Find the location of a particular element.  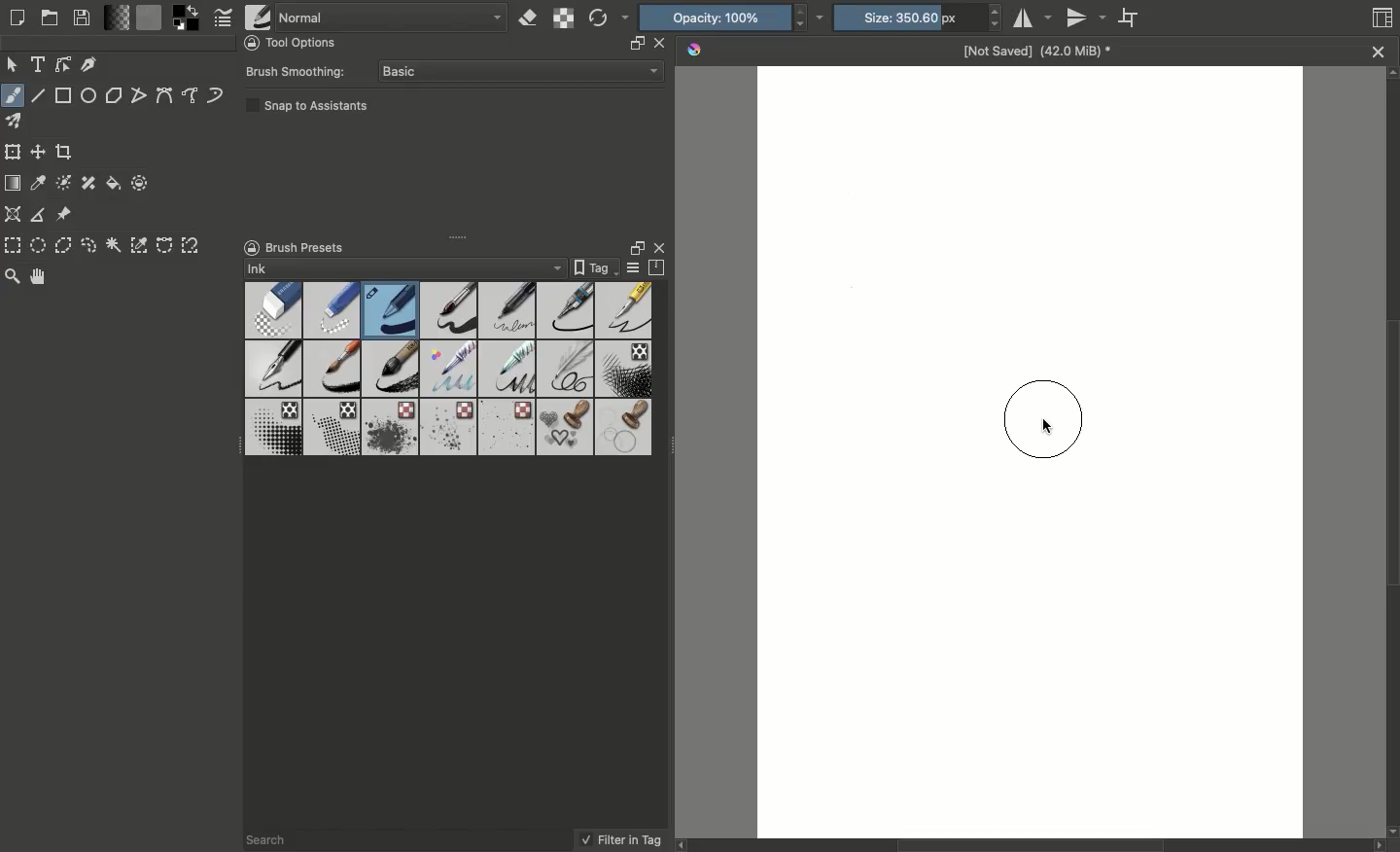

Brush cursor is located at coordinates (1043, 418).